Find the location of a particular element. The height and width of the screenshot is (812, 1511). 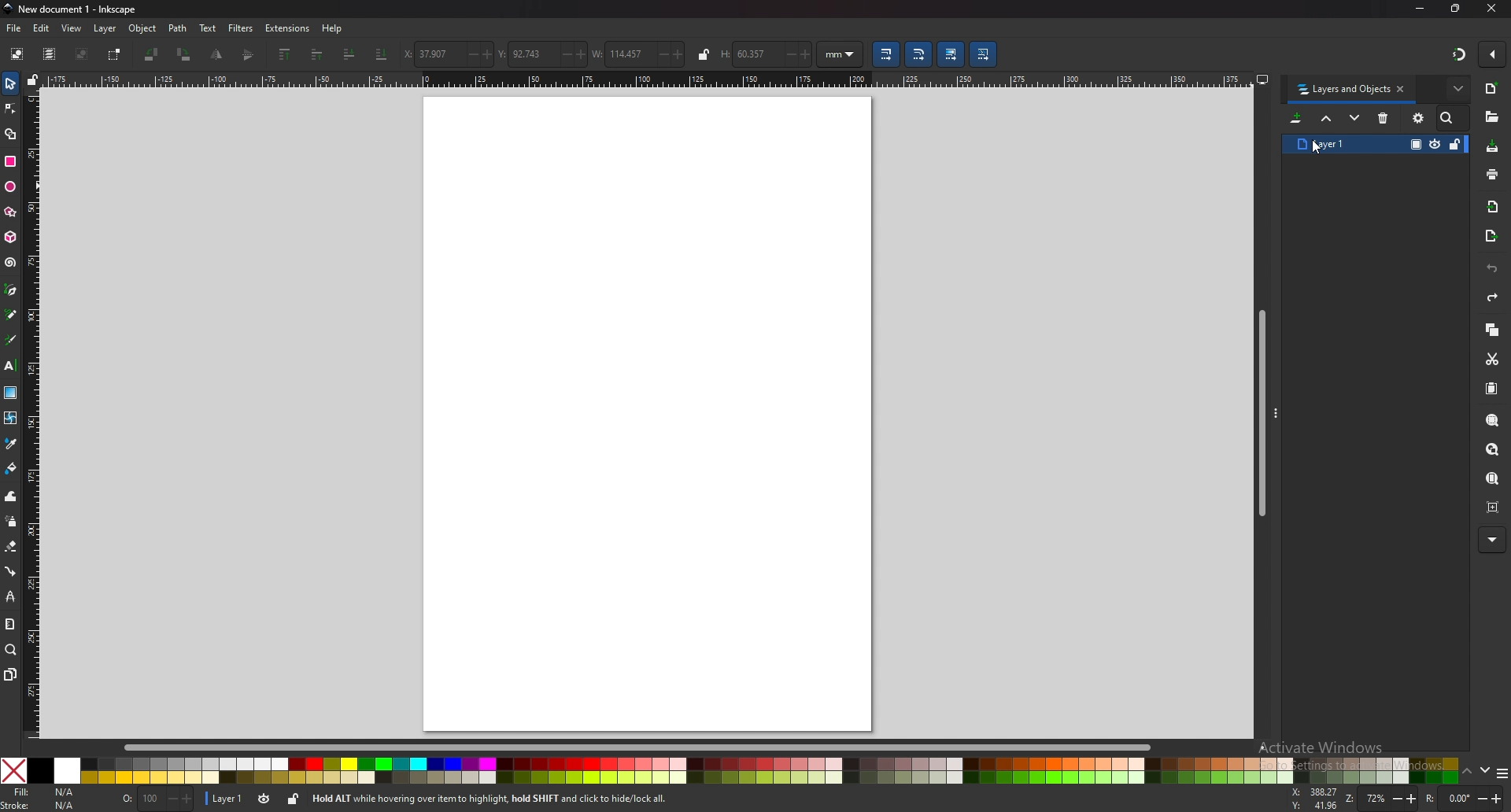

decrease is located at coordinates (660, 54).